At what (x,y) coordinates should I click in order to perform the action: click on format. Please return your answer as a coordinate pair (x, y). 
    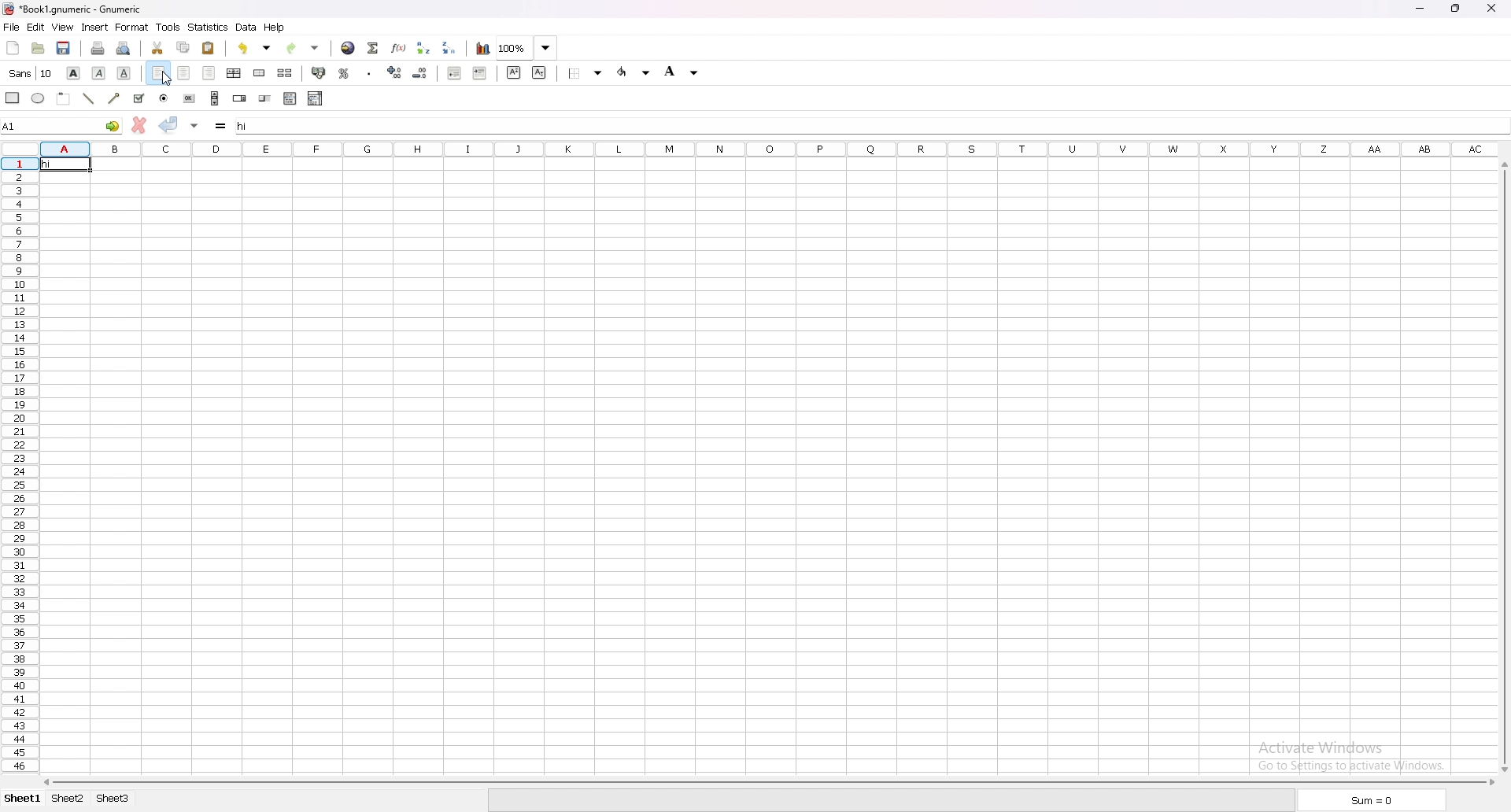
    Looking at the image, I should click on (132, 28).